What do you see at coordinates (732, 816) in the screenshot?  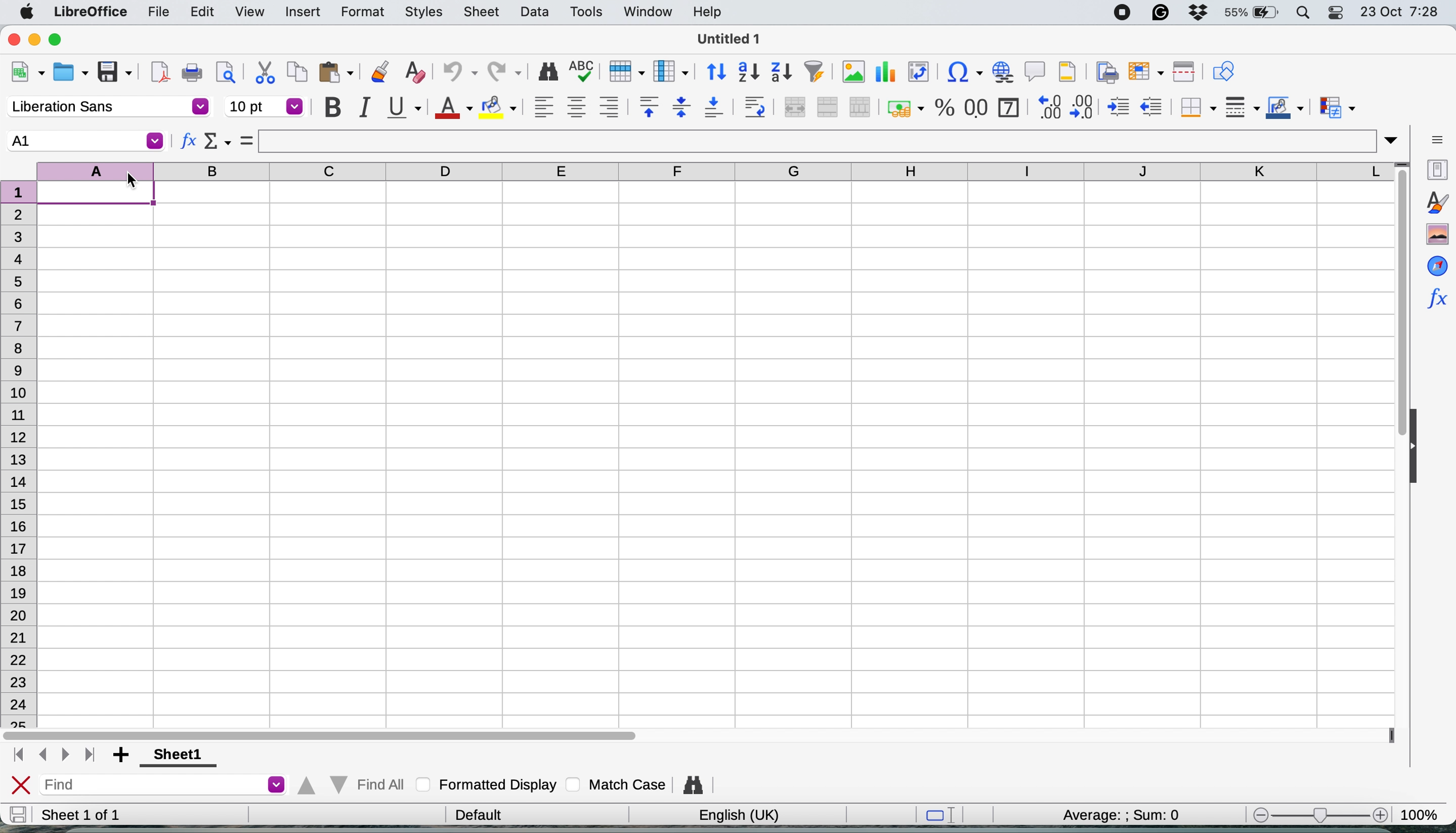 I see `english uk` at bounding box center [732, 816].